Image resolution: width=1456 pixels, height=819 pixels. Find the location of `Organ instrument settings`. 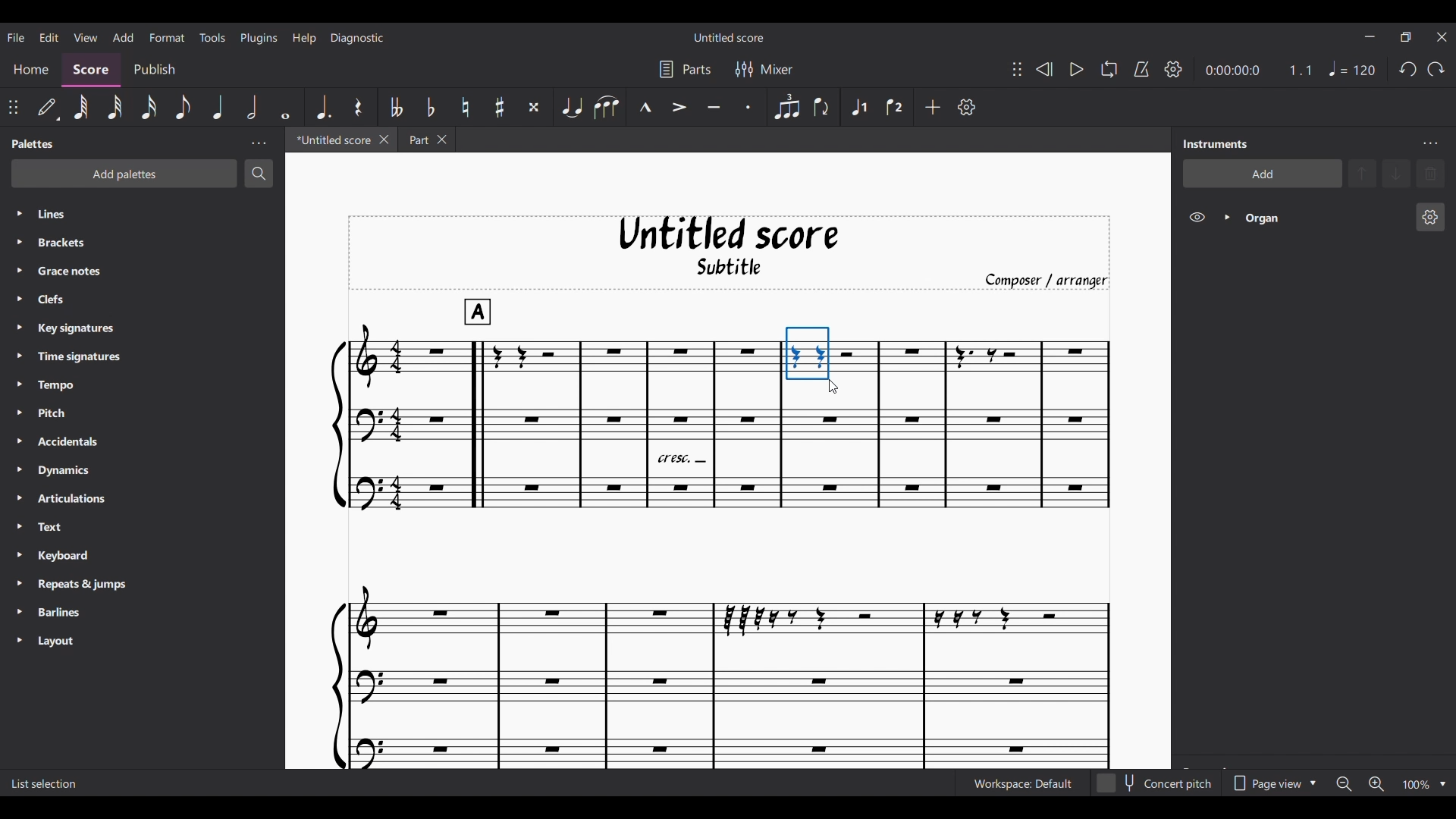

Organ instrument settings is located at coordinates (1430, 217).